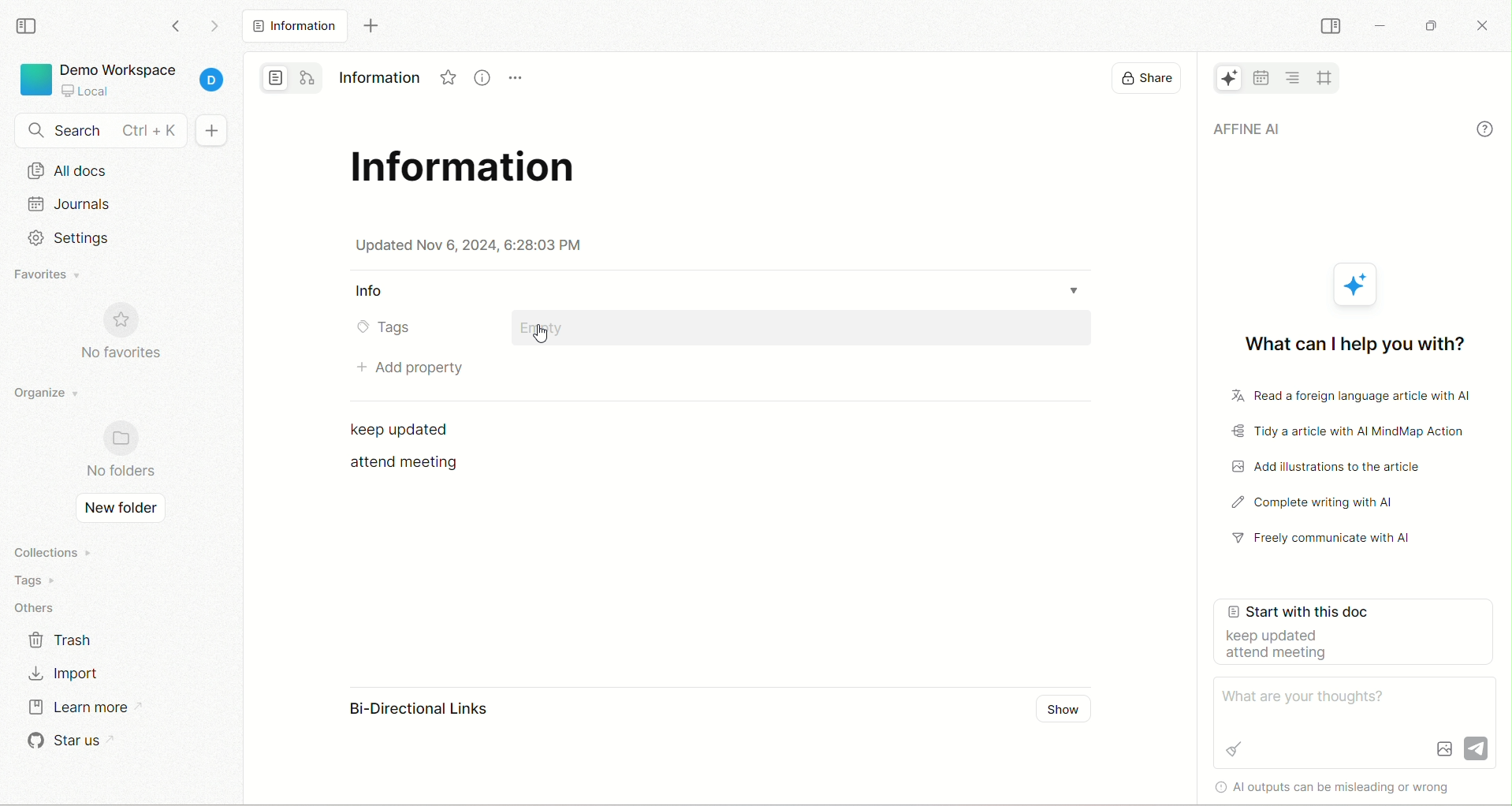  What do you see at coordinates (1310, 696) in the screenshot?
I see `What are your thoughts` at bounding box center [1310, 696].